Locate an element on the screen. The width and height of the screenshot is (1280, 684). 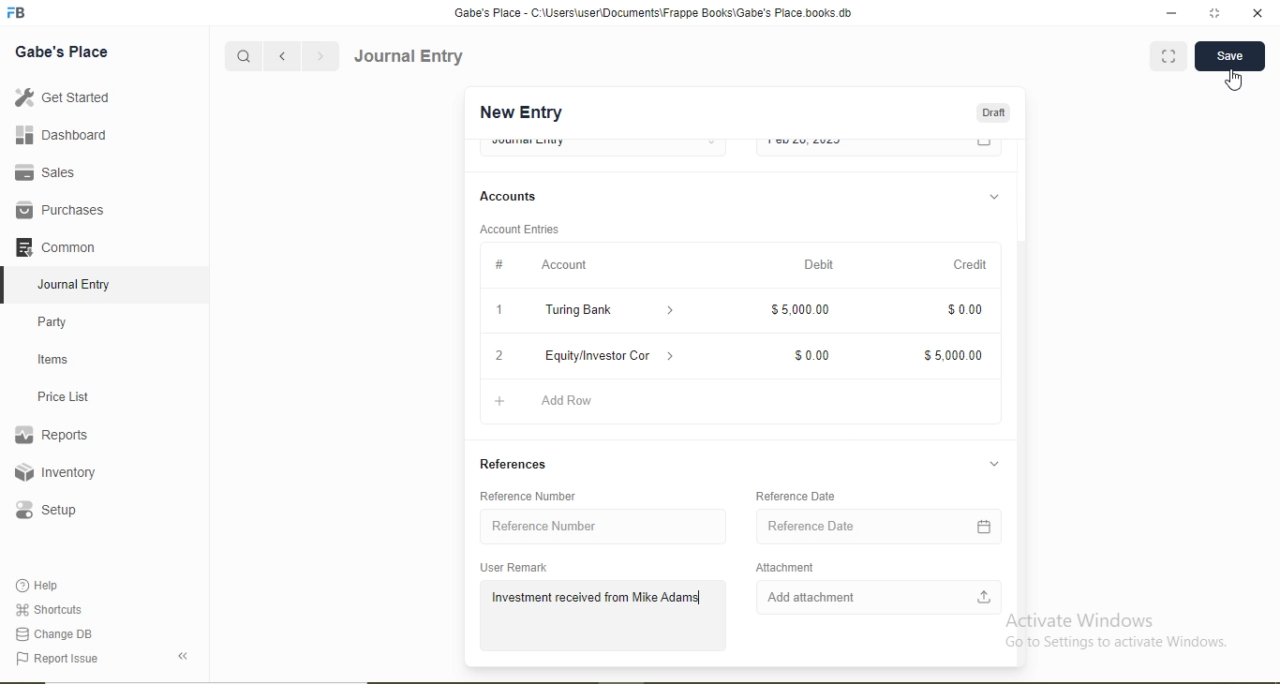
2 is located at coordinates (498, 358).